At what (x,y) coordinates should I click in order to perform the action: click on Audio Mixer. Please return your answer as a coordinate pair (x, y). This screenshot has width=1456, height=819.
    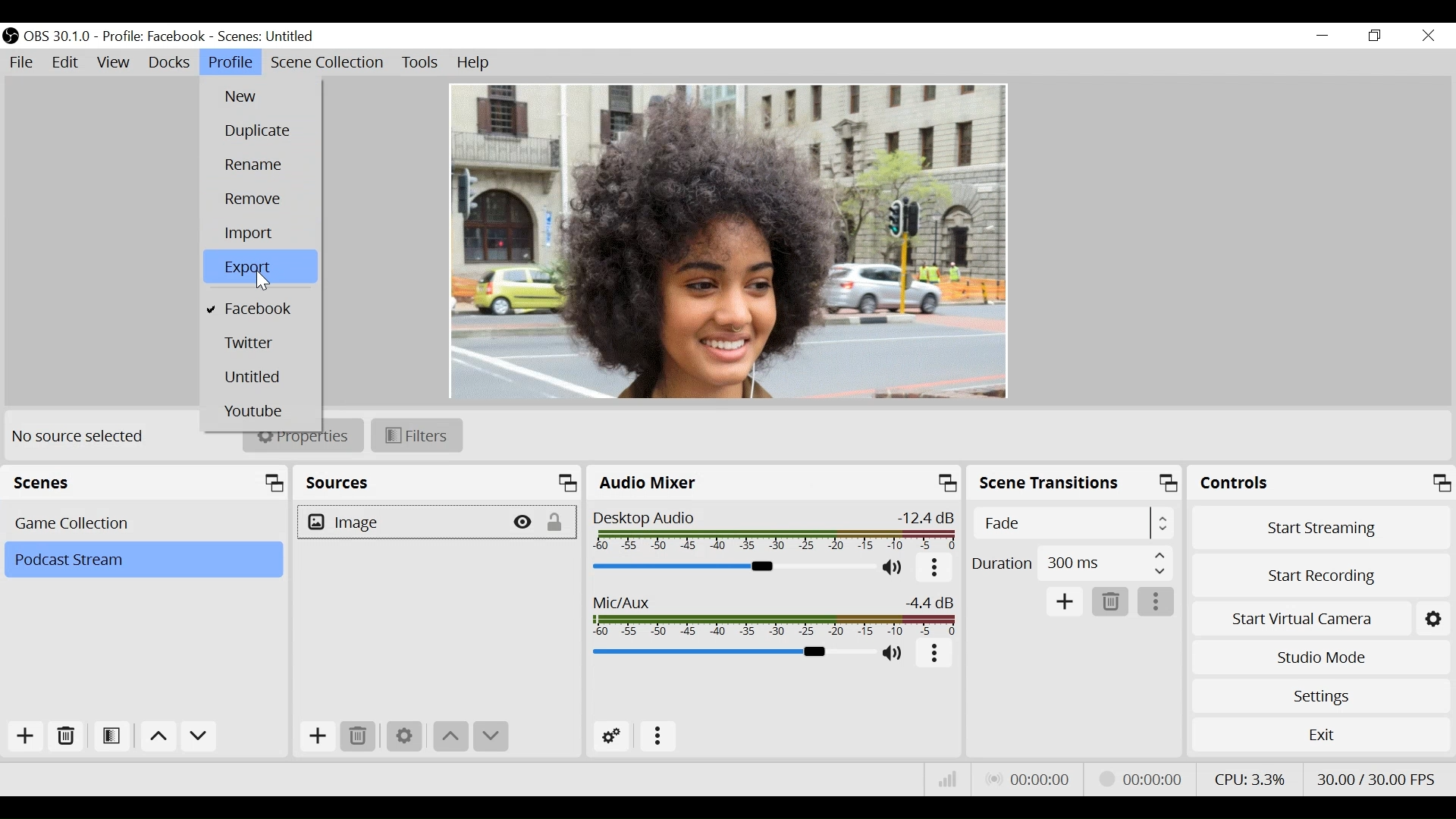
    Looking at the image, I should click on (733, 566).